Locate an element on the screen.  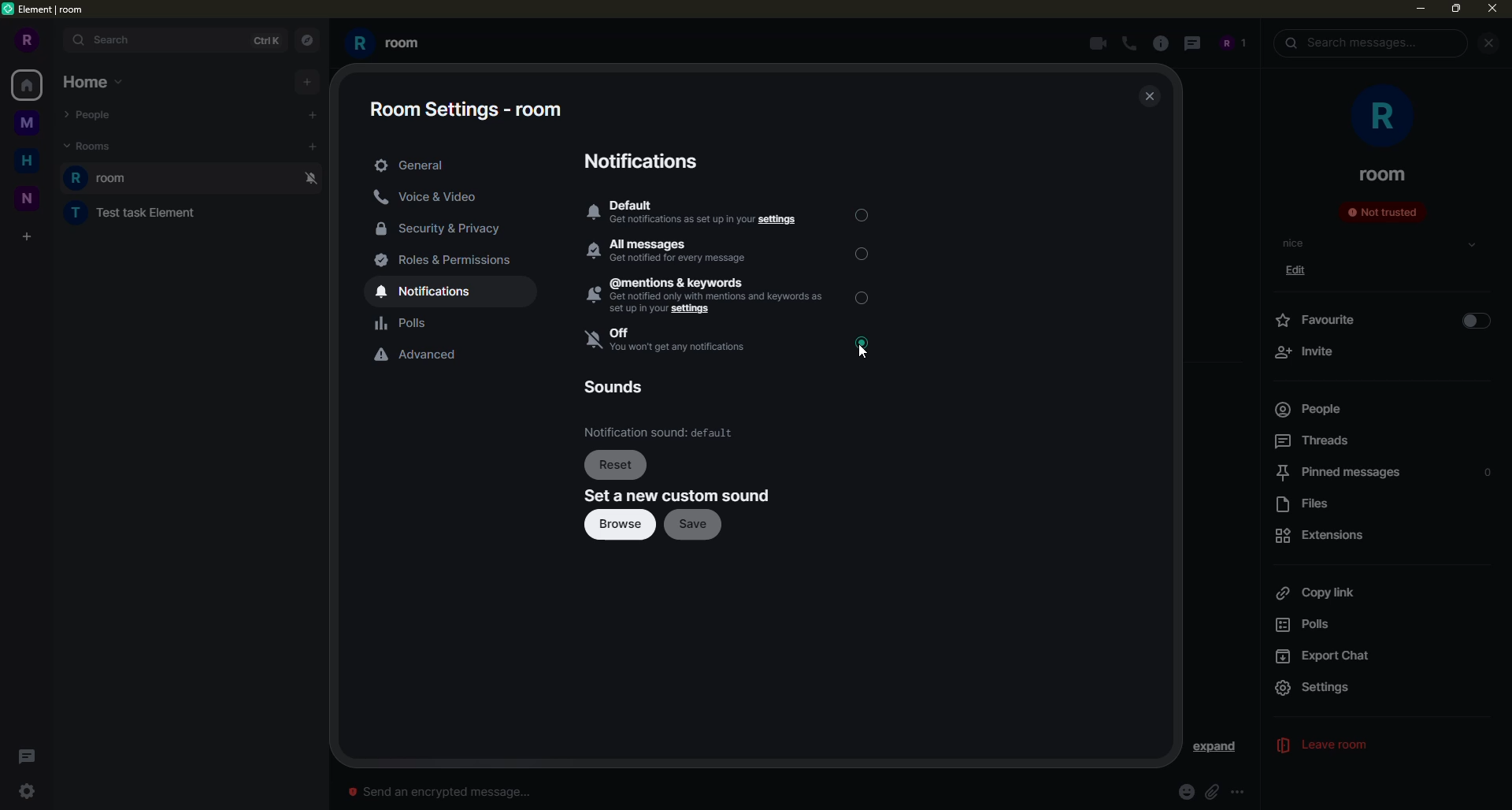
export chat is located at coordinates (1327, 657).